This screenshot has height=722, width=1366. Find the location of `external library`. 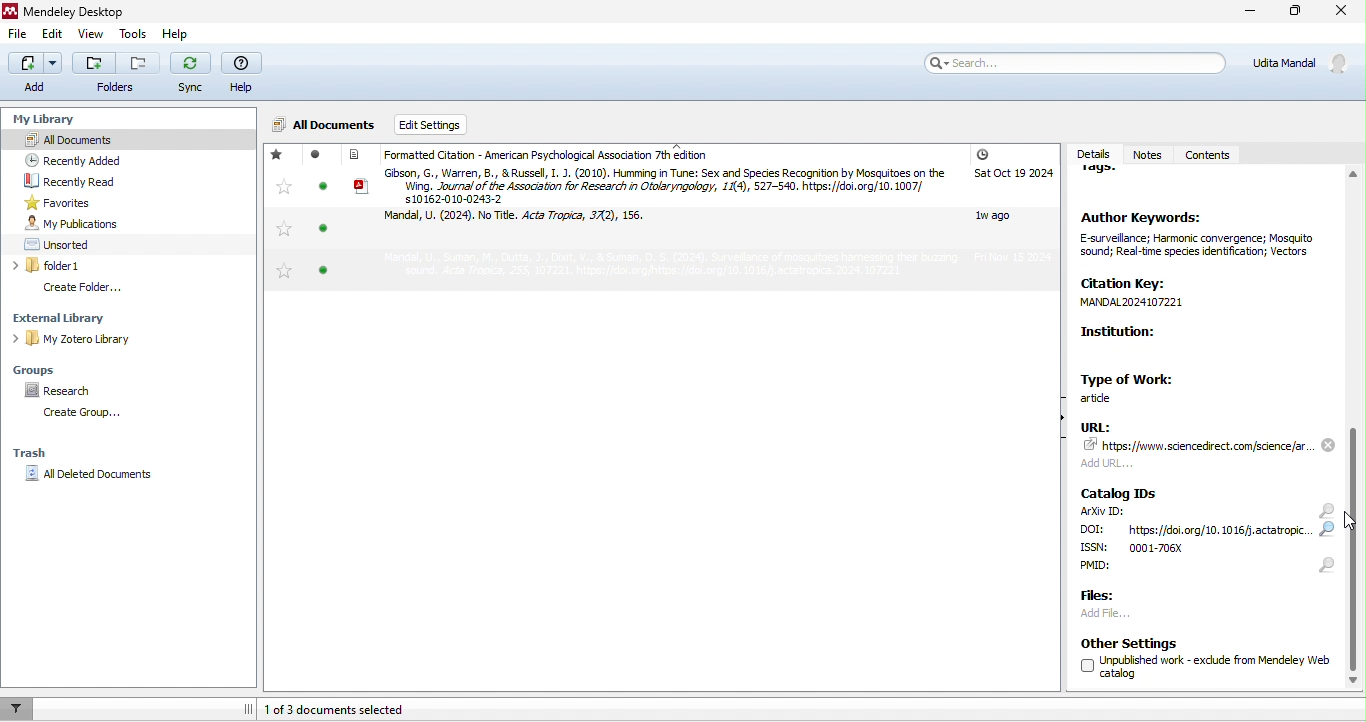

external library is located at coordinates (108, 317).